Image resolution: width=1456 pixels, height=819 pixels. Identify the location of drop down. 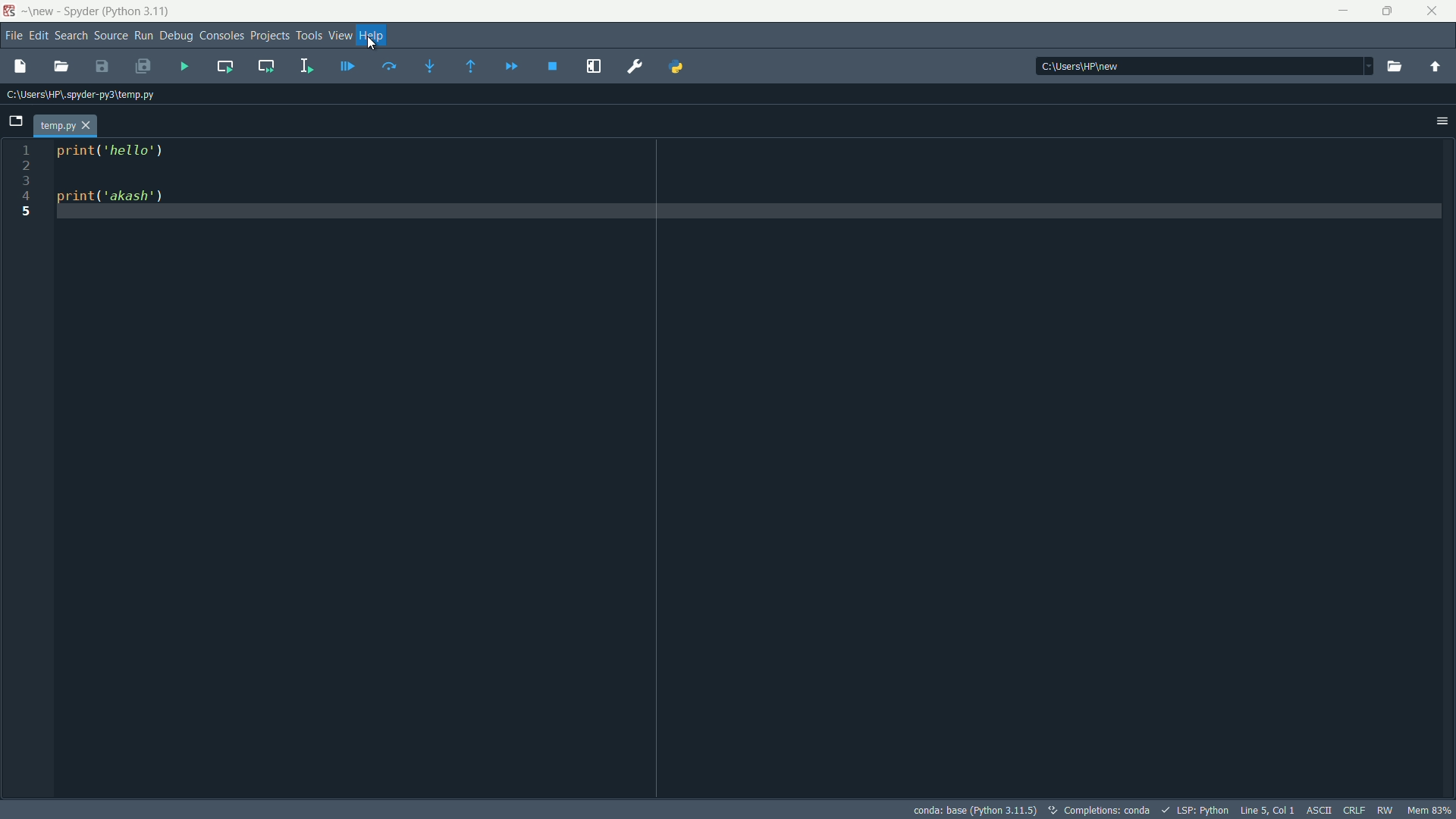
(1369, 67).